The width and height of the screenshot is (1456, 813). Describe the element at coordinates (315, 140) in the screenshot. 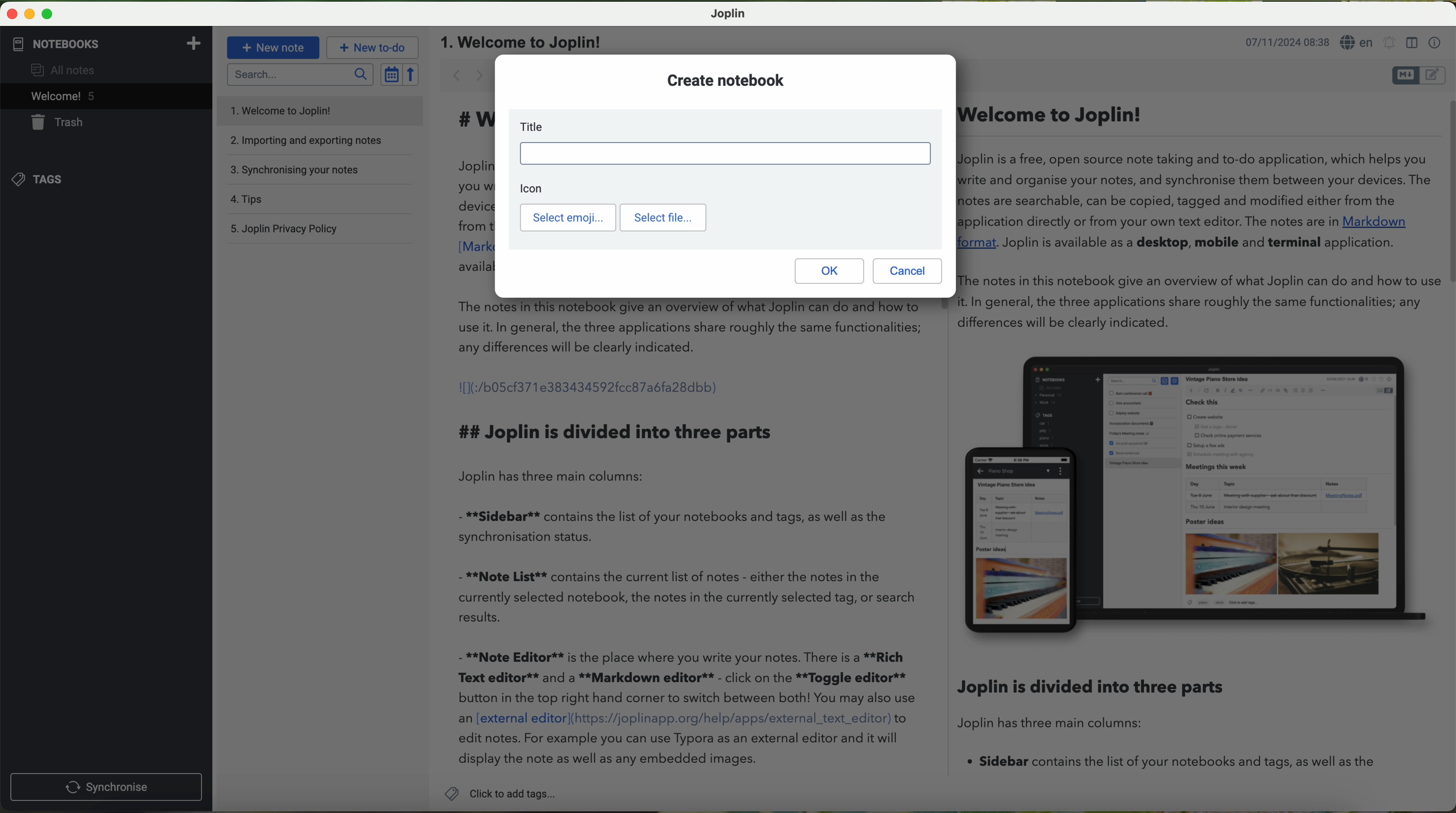

I see `importing and exporting notes` at that location.